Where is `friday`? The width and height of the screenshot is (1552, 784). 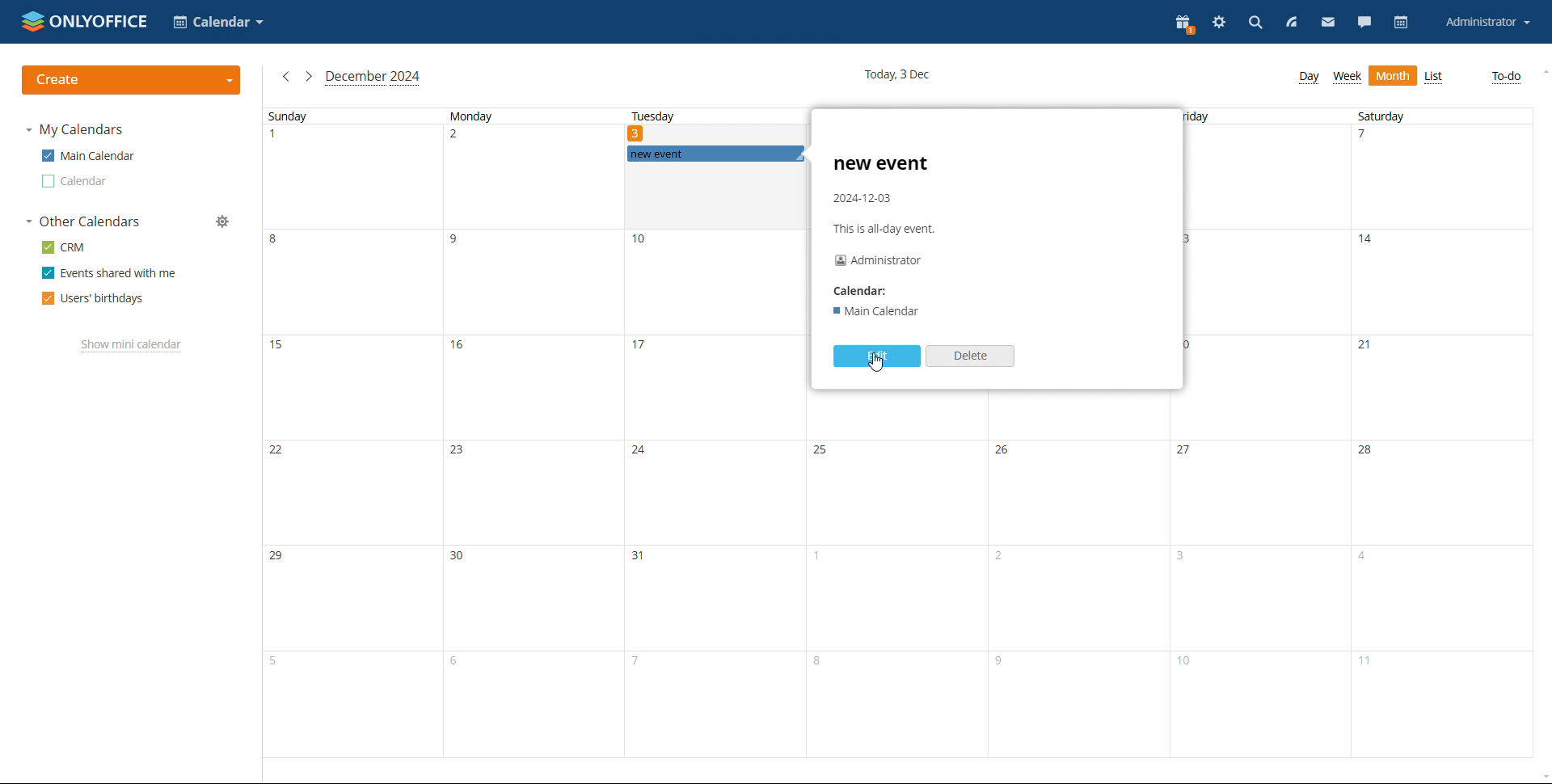 friday is located at coordinates (1256, 433).